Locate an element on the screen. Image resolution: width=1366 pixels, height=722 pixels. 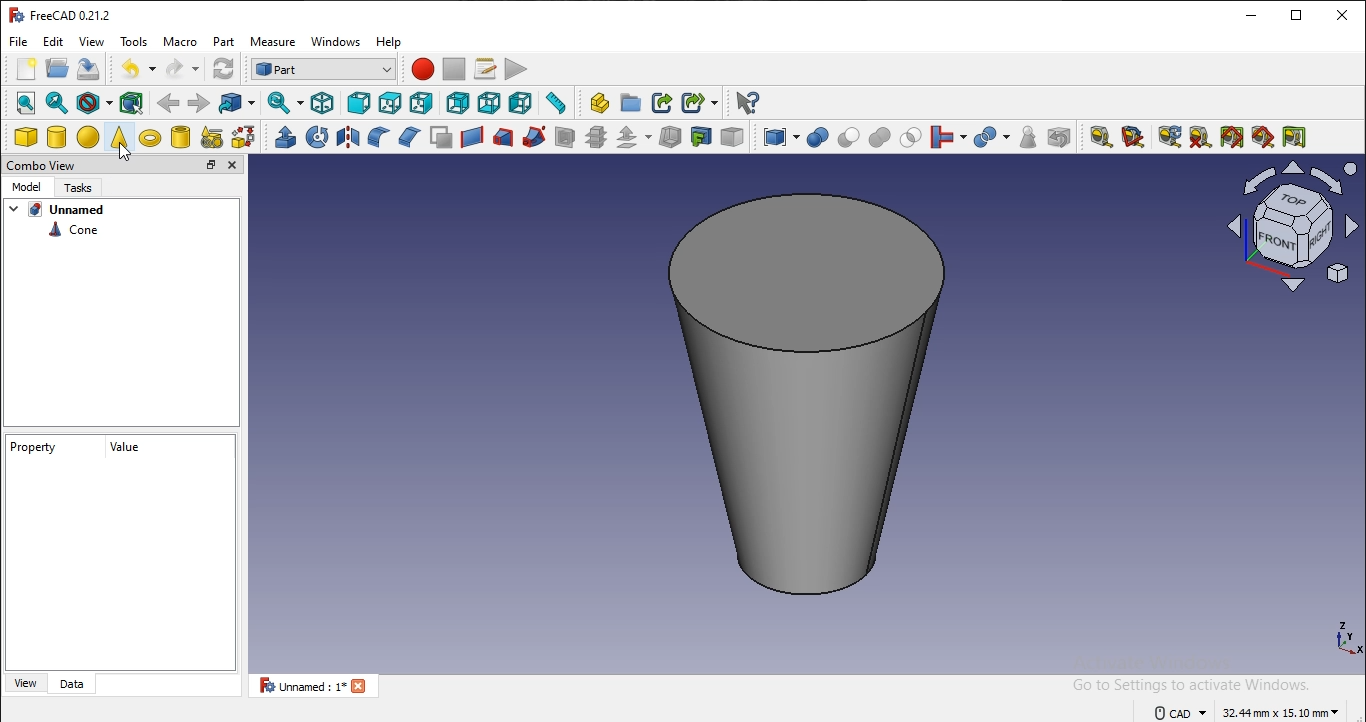
cone is located at coordinates (803, 401).